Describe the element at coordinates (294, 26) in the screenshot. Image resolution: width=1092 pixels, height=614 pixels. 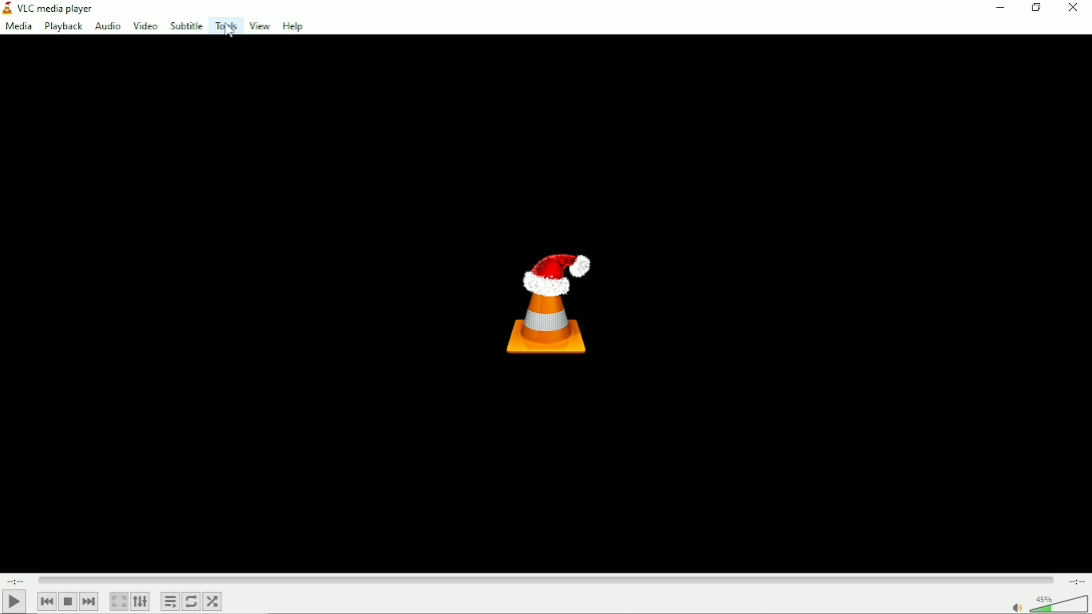
I see `Help` at that location.